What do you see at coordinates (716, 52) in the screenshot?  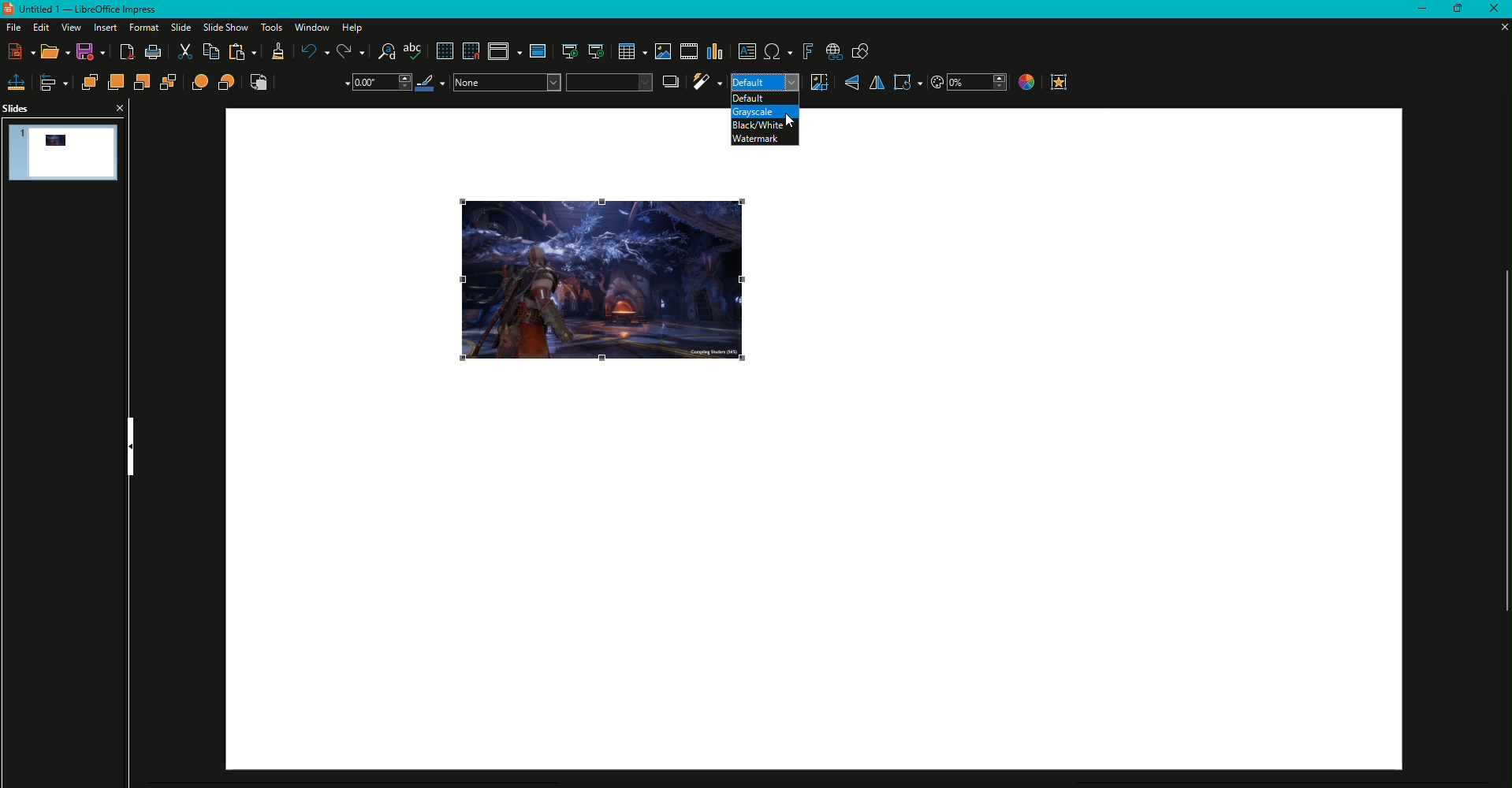 I see `Chart` at bounding box center [716, 52].